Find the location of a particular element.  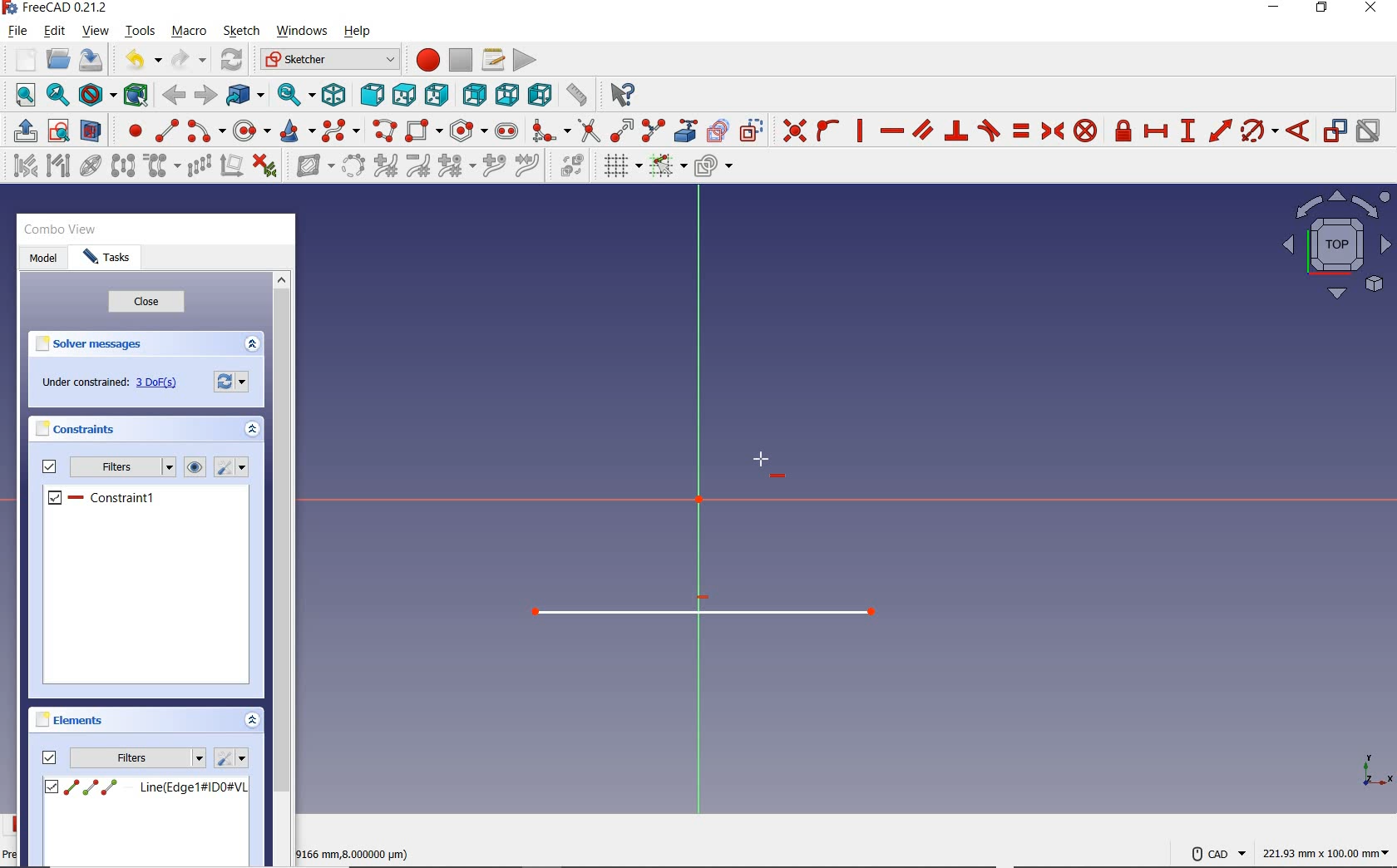

CREATE SLOT is located at coordinates (506, 131).